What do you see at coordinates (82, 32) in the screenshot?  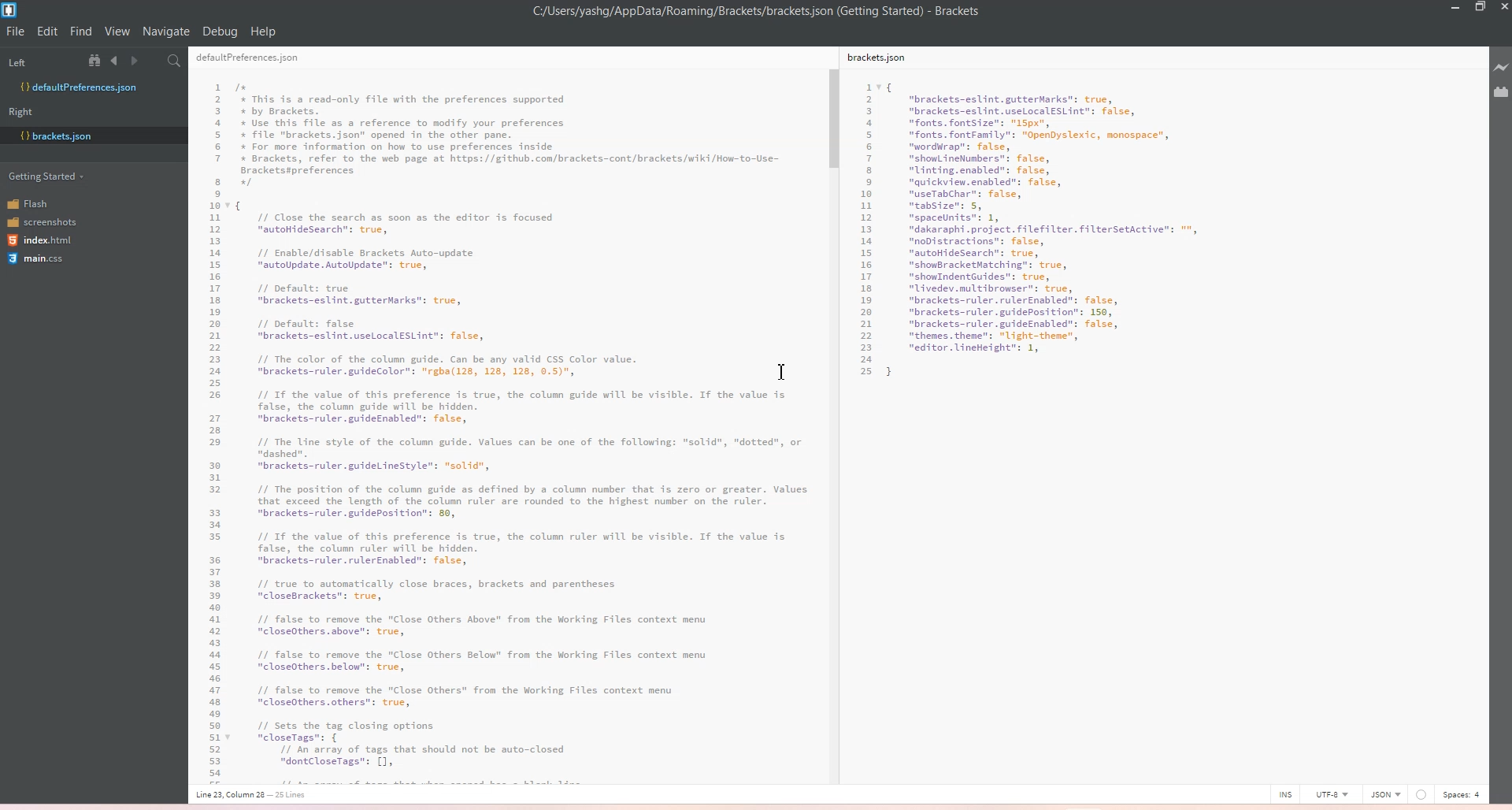 I see `Find` at bounding box center [82, 32].